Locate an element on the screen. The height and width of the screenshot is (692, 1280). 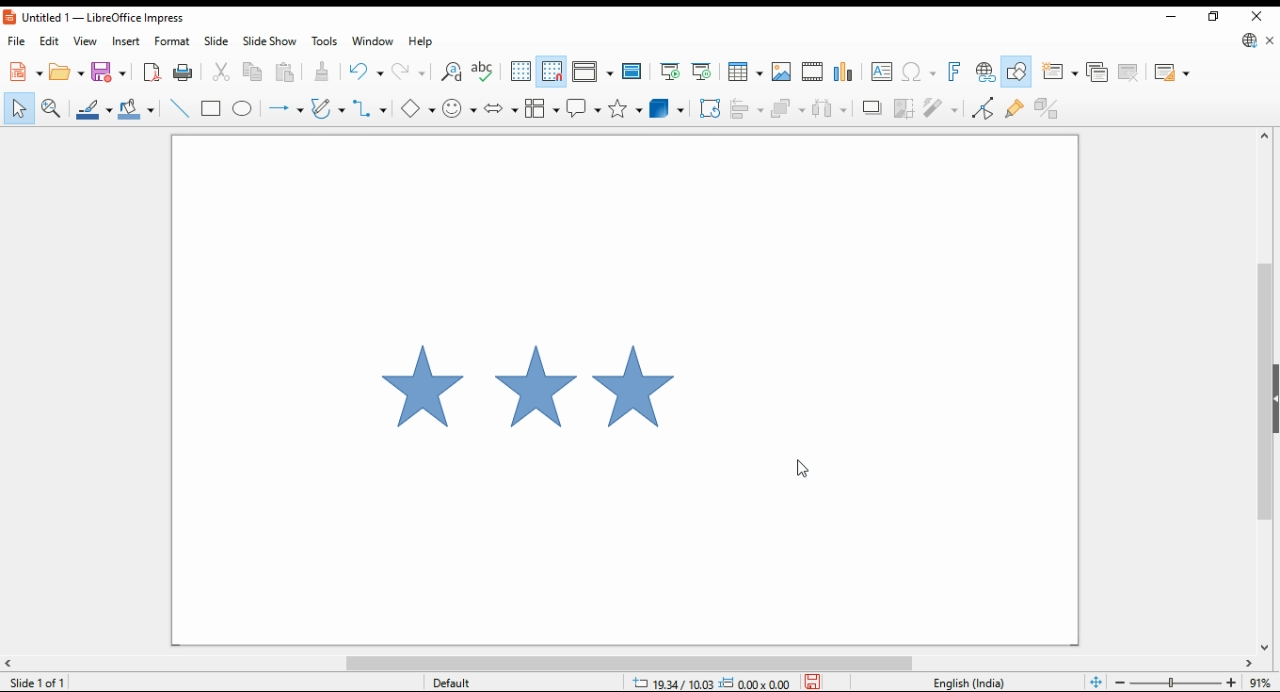
show grids is located at coordinates (519, 71).